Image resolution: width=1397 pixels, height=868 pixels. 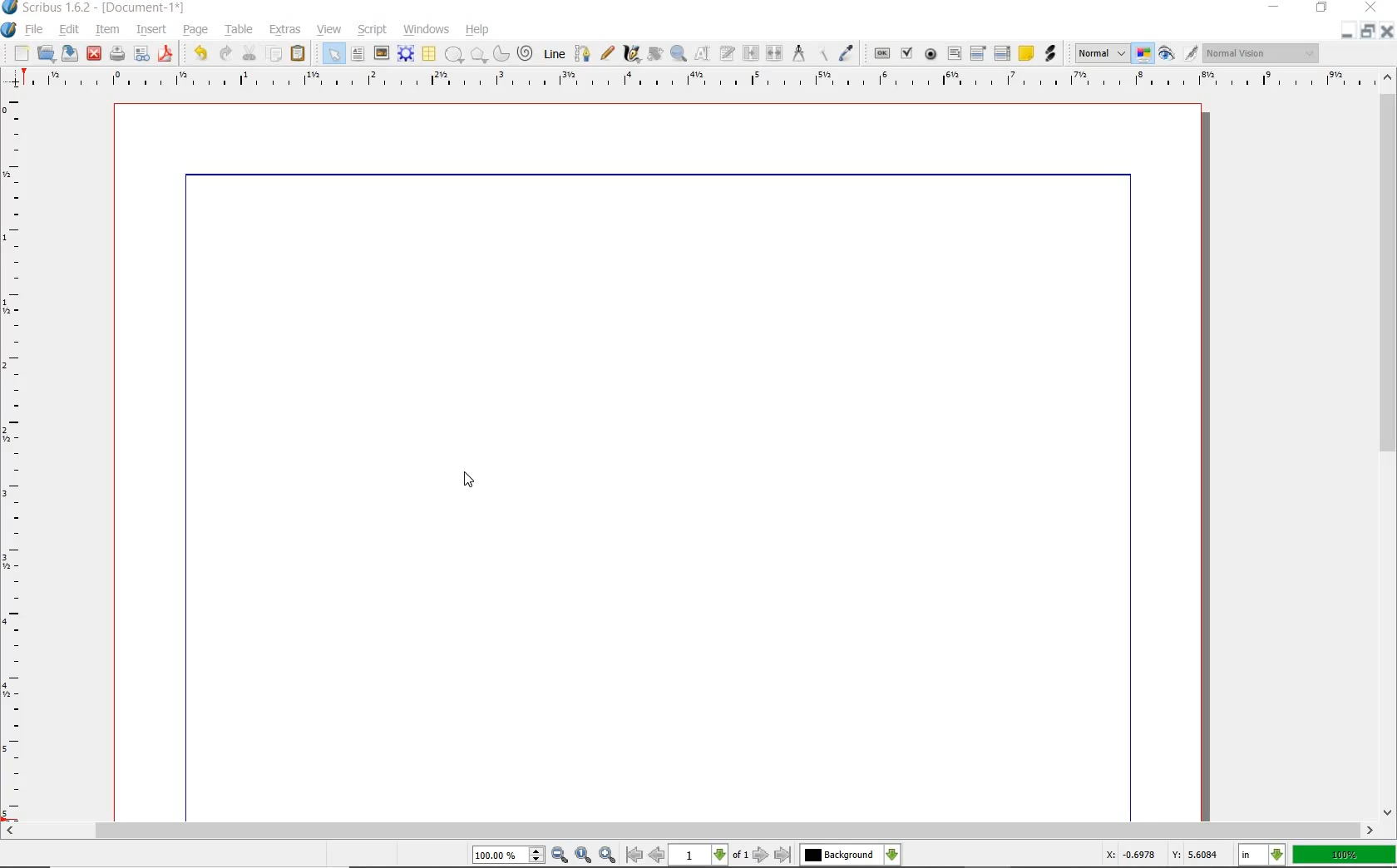 What do you see at coordinates (608, 52) in the screenshot?
I see `FREEHAND LINE` at bounding box center [608, 52].